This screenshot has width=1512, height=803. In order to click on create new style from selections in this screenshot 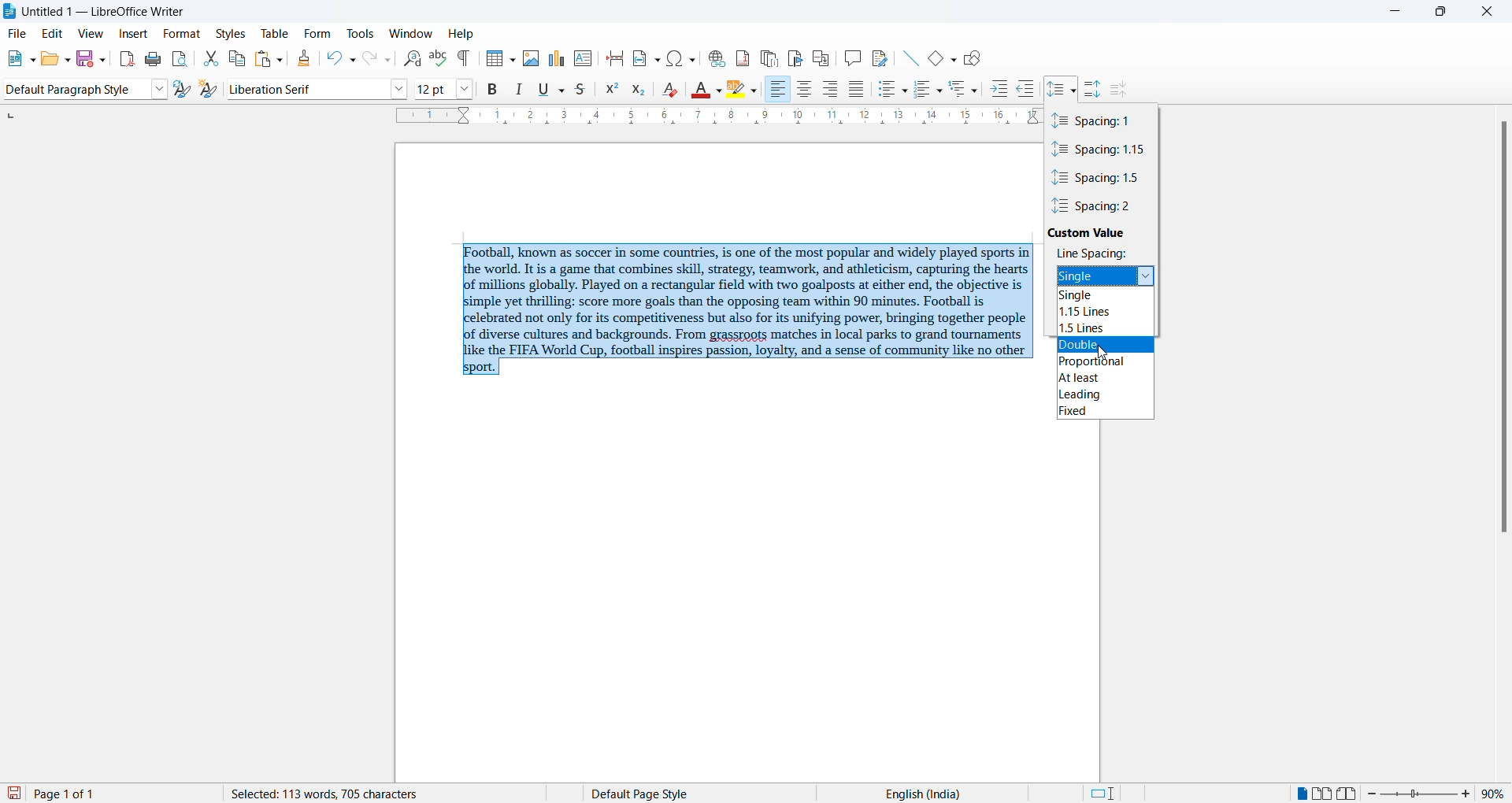, I will do `click(209, 89)`.